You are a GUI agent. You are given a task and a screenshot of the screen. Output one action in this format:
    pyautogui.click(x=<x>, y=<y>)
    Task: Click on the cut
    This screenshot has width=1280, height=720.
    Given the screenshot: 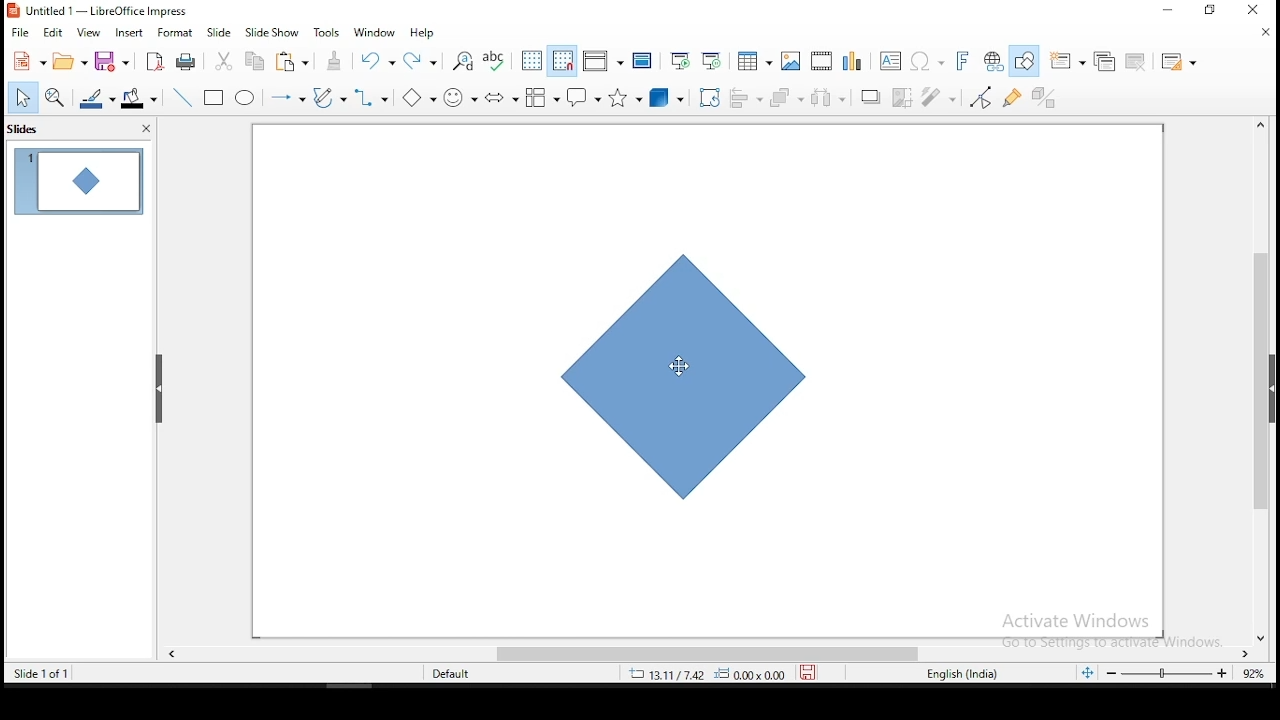 What is the action you would take?
    pyautogui.click(x=224, y=63)
    